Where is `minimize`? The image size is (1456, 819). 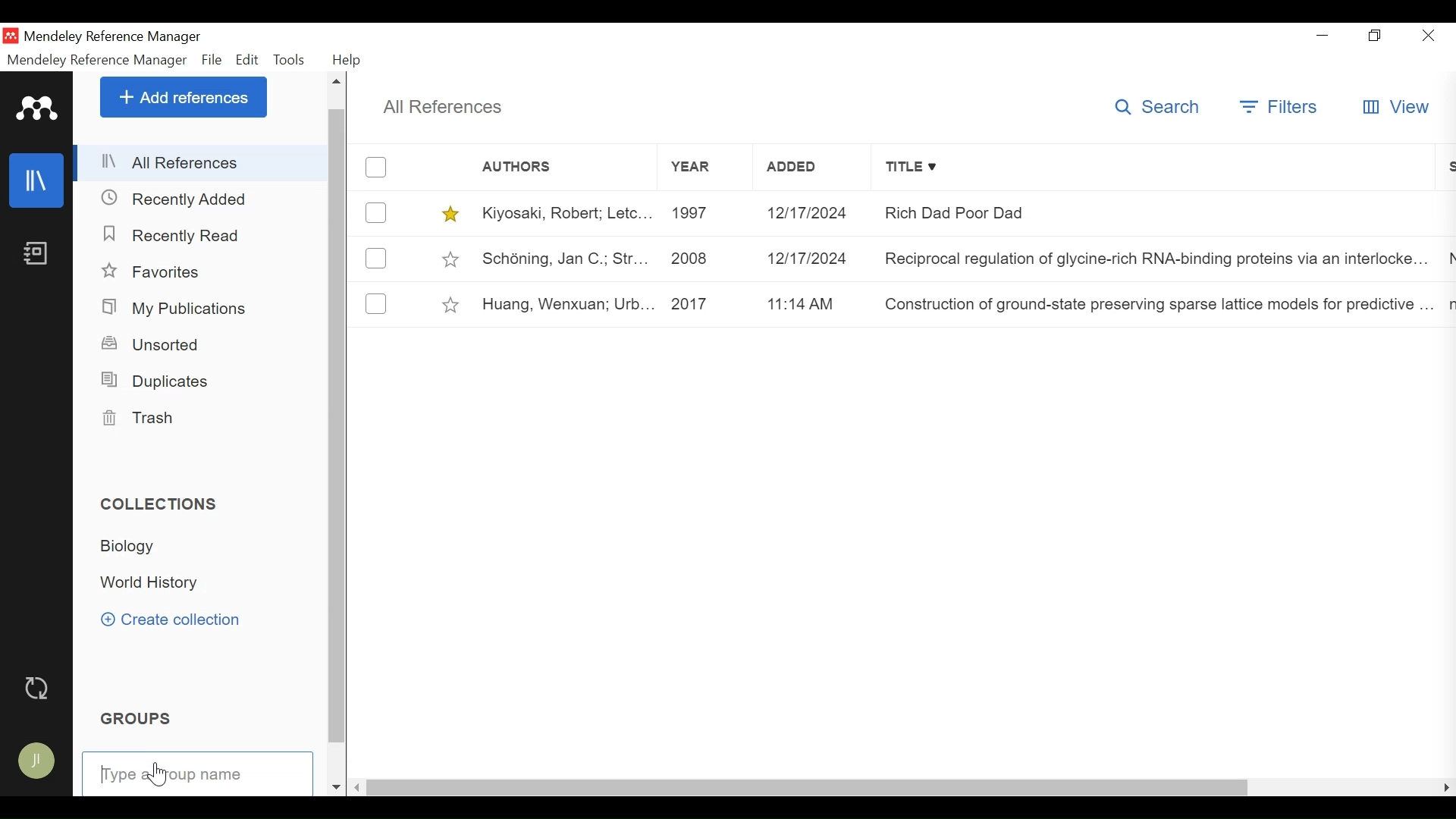
minimize is located at coordinates (1323, 33).